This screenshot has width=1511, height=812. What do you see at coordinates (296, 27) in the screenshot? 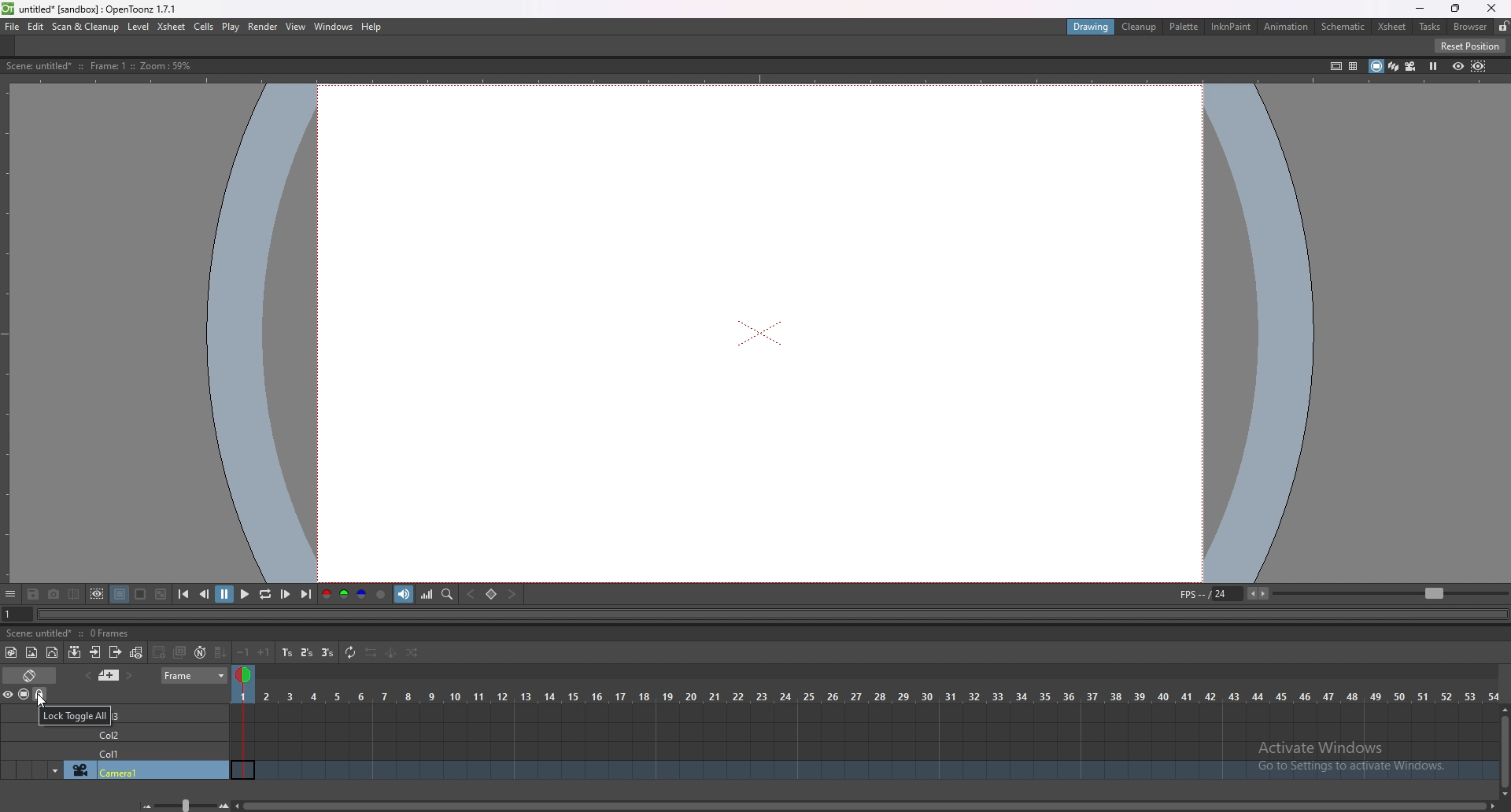
I see `view` at bounding box center [296, 27].